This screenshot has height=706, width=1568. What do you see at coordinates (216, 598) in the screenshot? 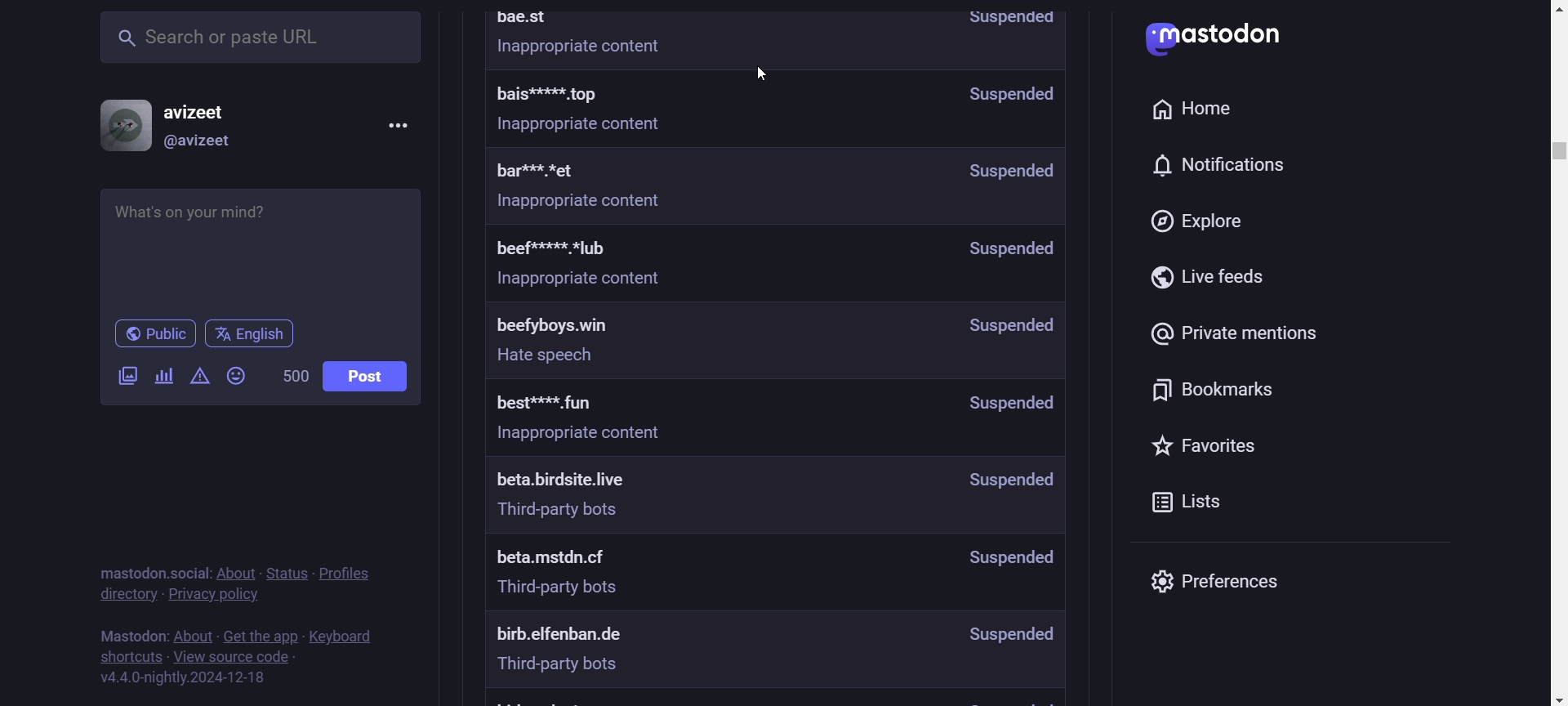
I see `privacy policy` at bounding box center [216, 598].